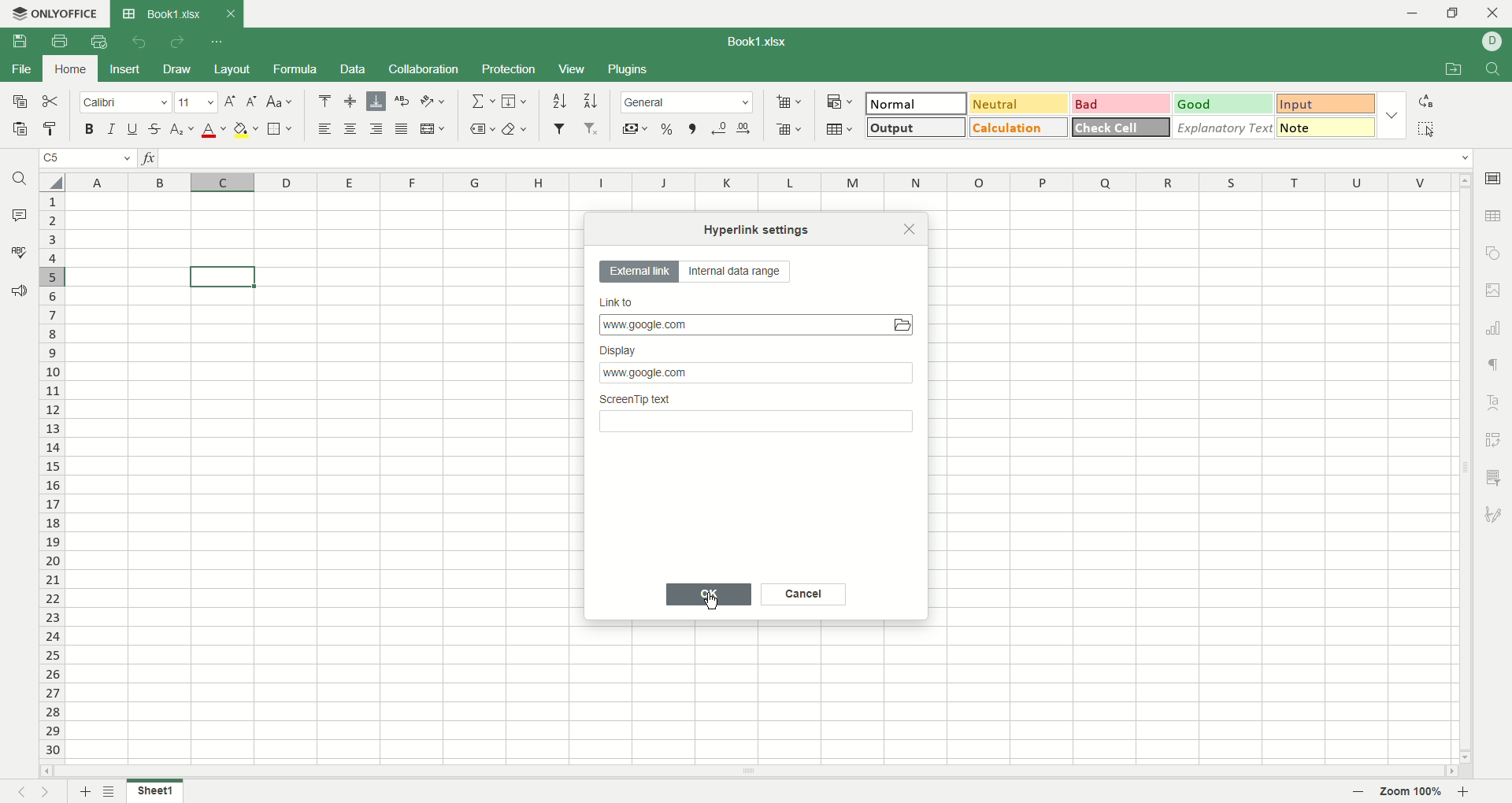 The height and width of the screenshot is (803, 1512). What do you see at coordinates (1426, 128) in the screenshot?
I see `select all` at bounding box center [1426, 128].